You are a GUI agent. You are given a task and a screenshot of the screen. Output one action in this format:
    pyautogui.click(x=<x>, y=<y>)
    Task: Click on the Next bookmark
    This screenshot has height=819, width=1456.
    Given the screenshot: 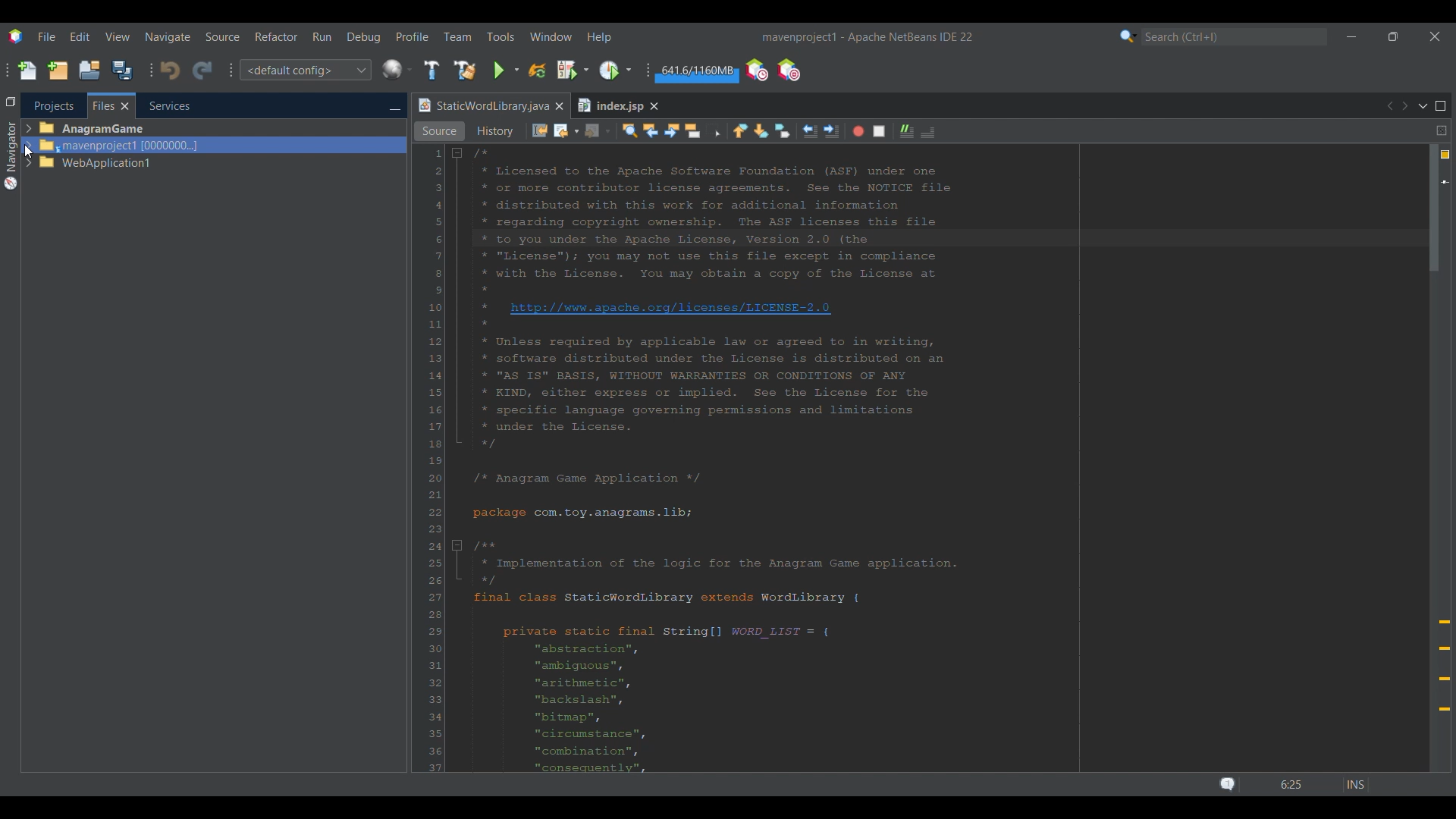 What is the action you would take?
    pyautogui.click(x=761, y=131)
    